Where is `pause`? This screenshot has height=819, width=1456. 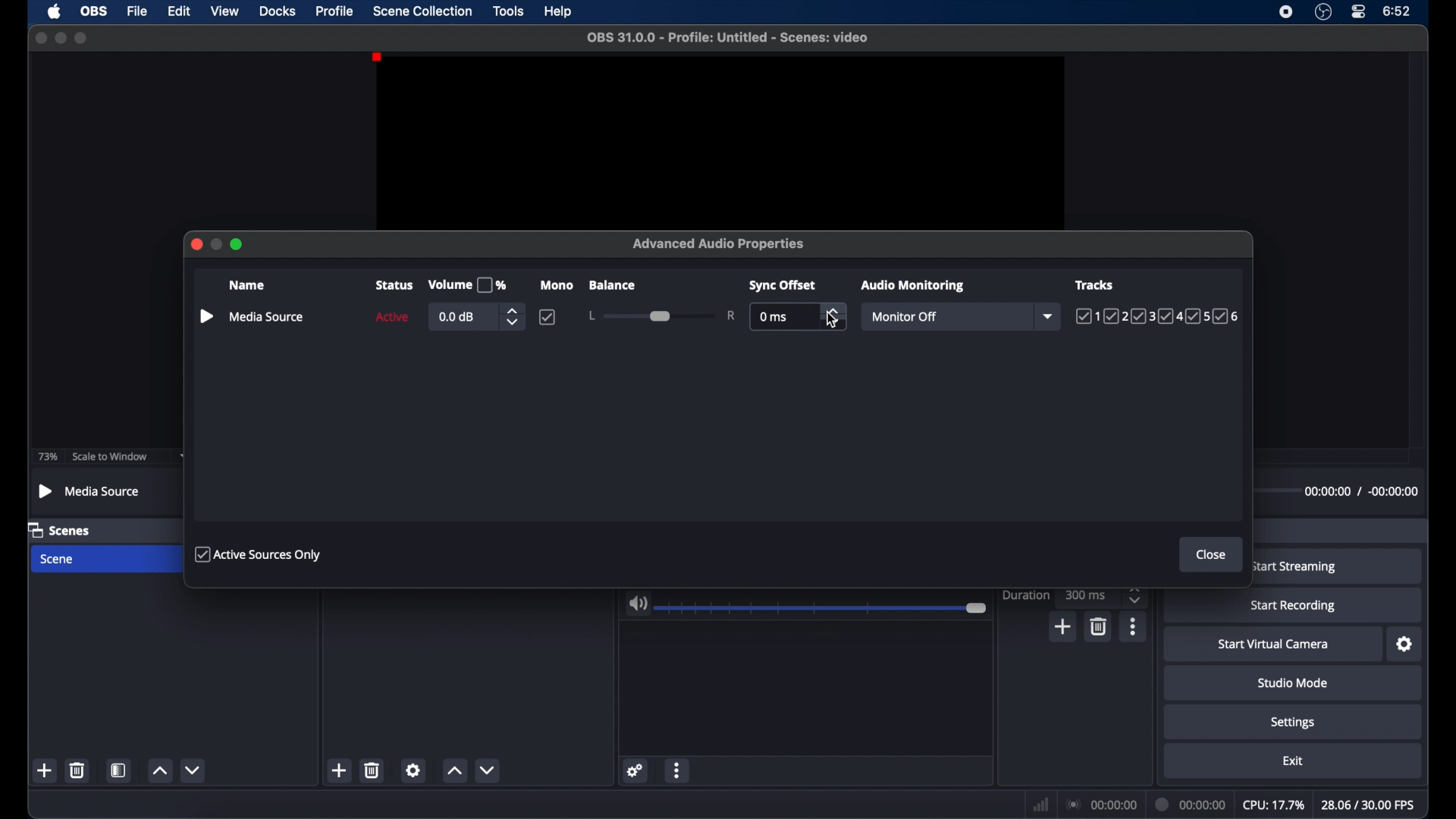
pause is located at coordinates (206, 316).